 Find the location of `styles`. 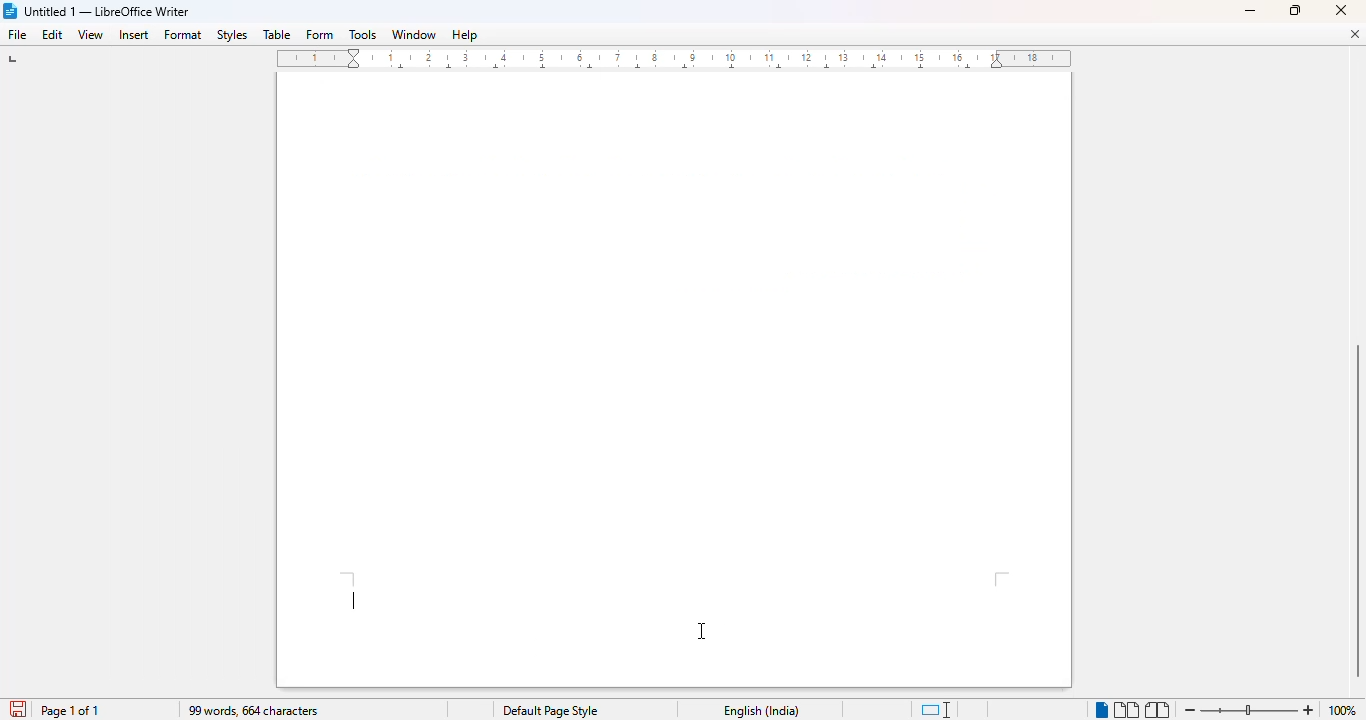

styles is located at coordinates (231, 35).